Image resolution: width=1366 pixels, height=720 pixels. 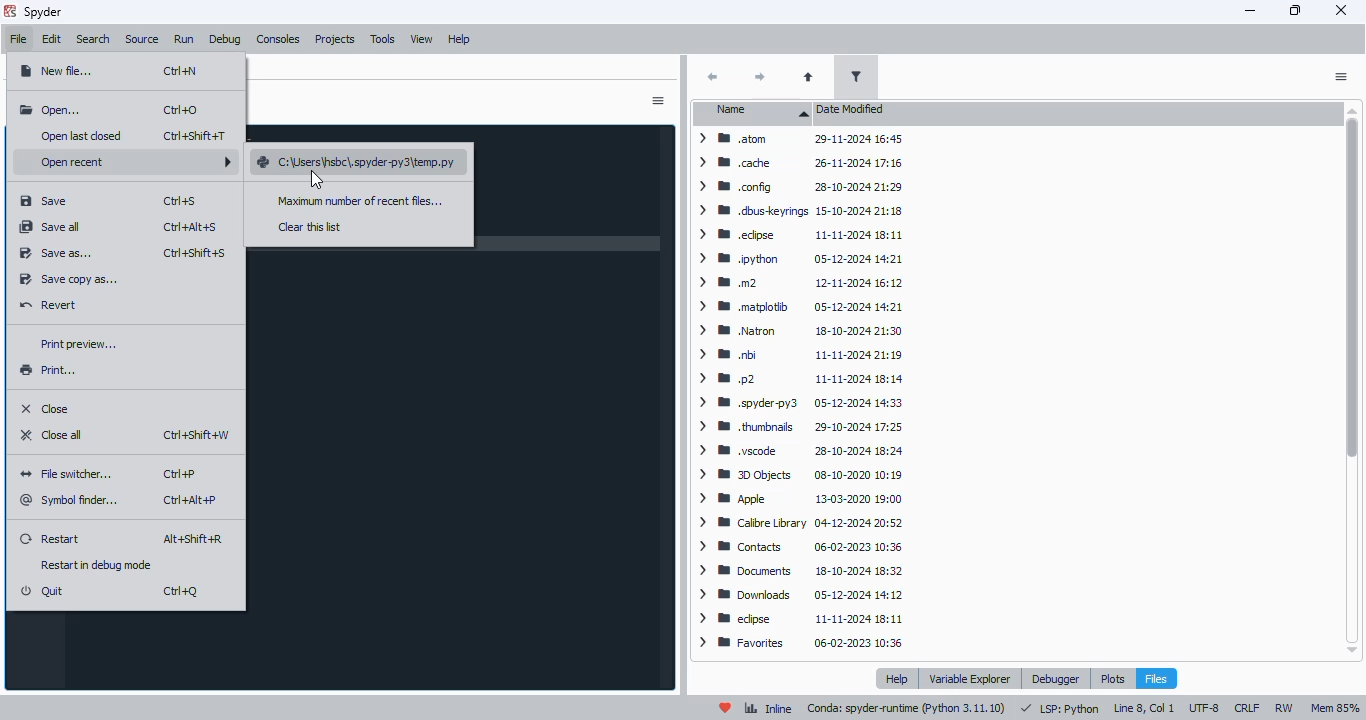 What do you see at coordinates (1054, 678) in the screenshot?
I see `debugger` at bounding box center [1054, 678].